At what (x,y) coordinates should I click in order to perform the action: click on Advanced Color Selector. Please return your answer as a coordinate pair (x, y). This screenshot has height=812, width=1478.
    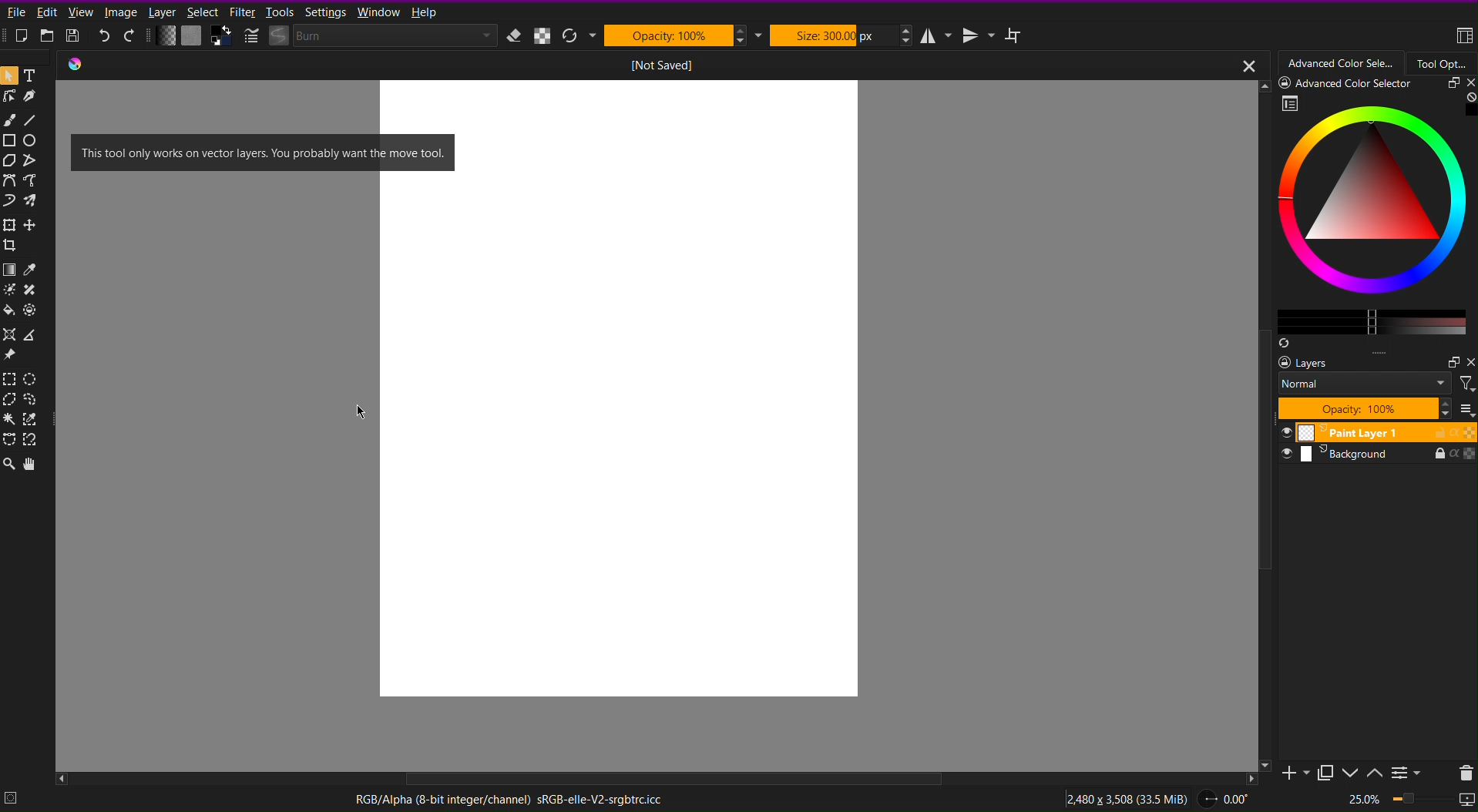
    Looking at the image, I should click on (1342, 64).